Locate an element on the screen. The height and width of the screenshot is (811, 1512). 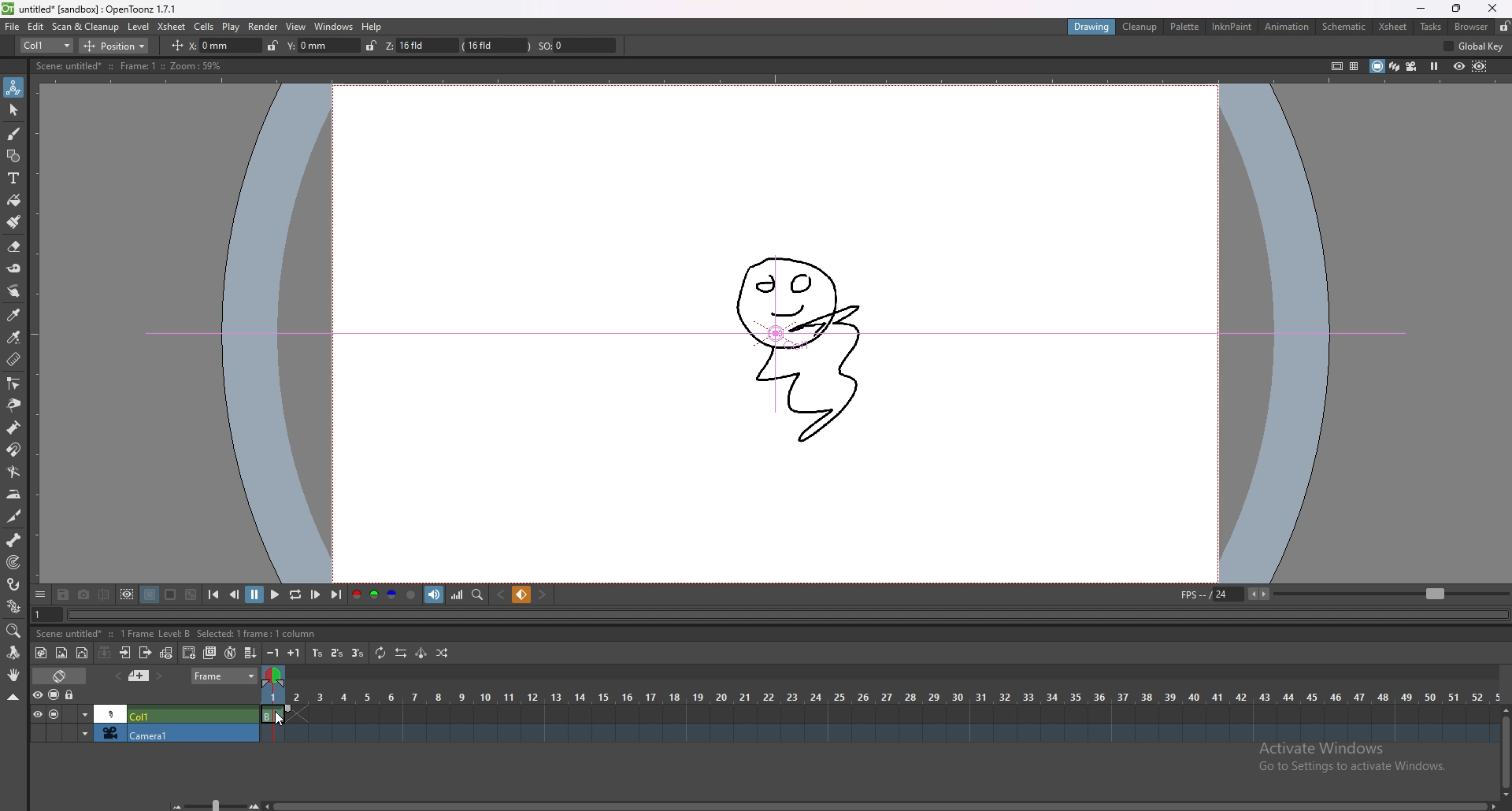
next memo is located at coordinates (159, 676).